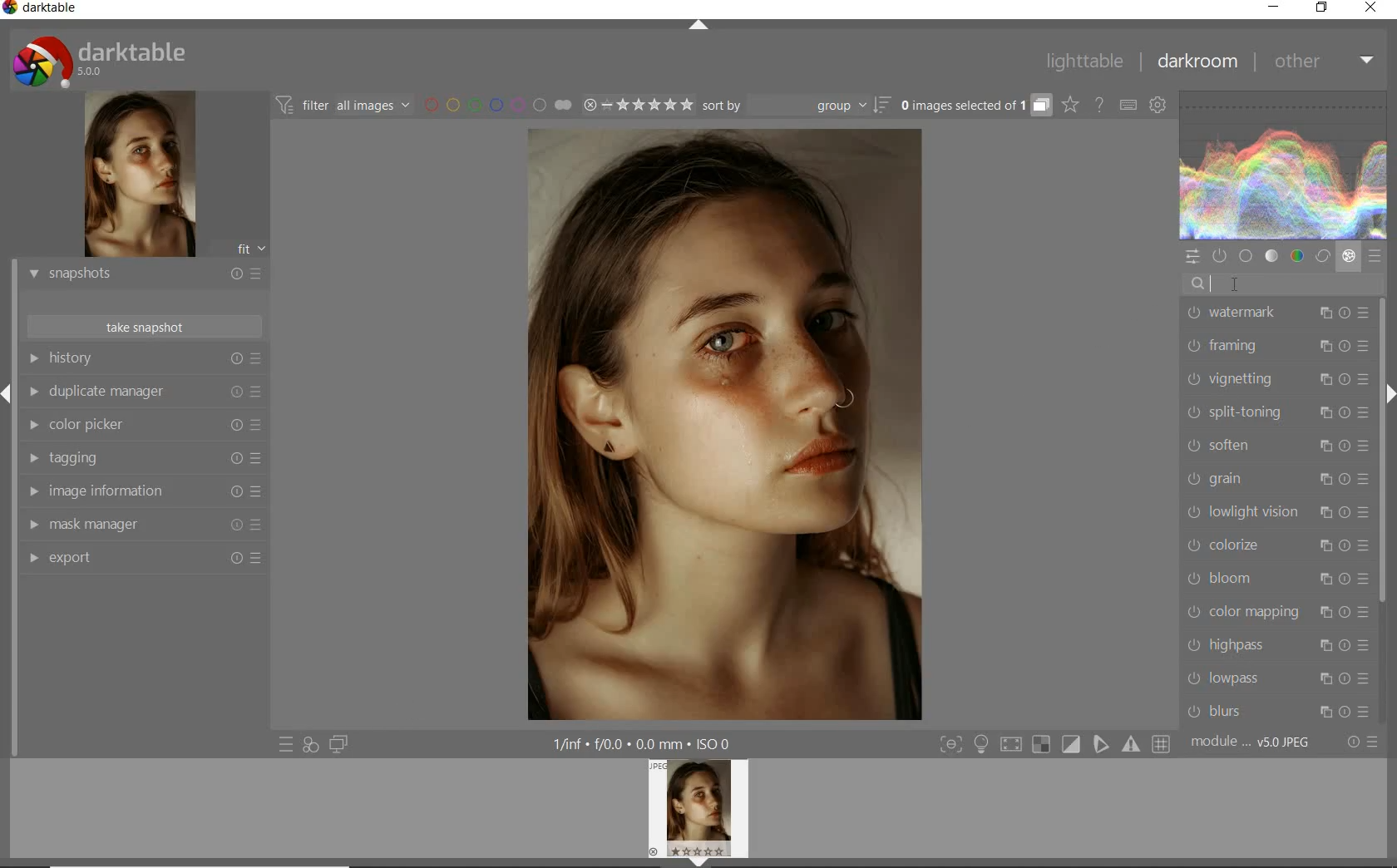  What do you see at coordinates (144, 427) in the screenshot?
I see `color picker` at bounding box center [144, 427].